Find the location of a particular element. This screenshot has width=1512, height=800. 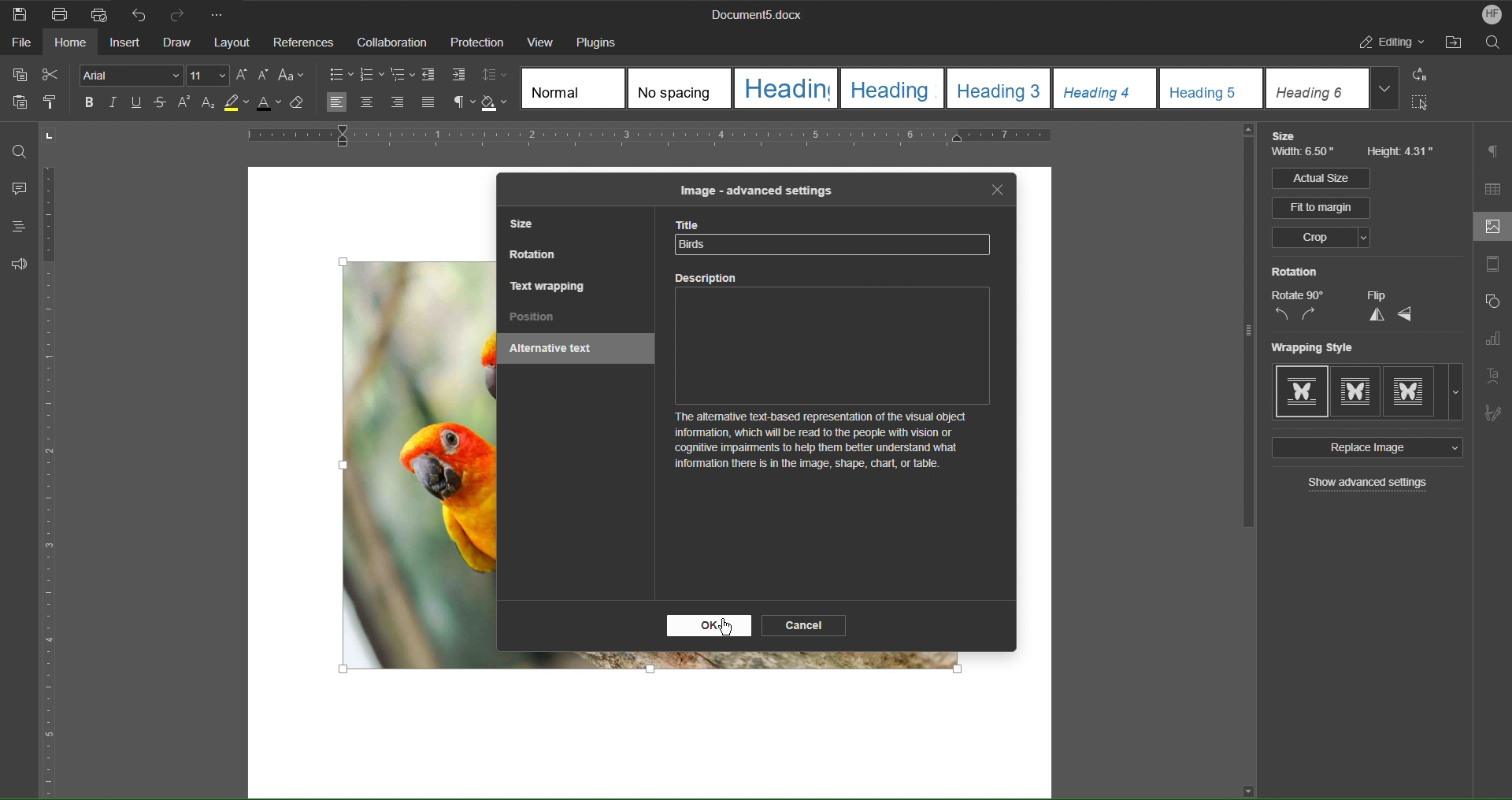

Home is located at coordinates (72, 45).